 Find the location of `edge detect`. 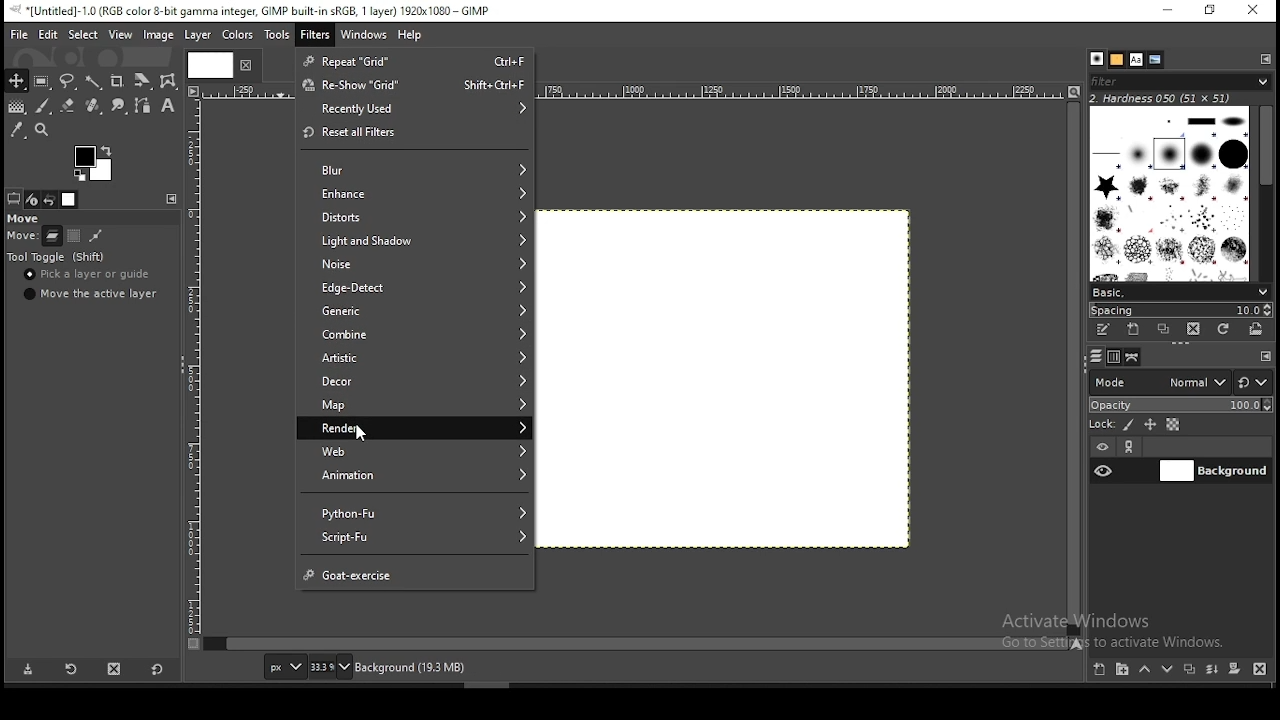

edge detect is located at coordinates (414, 289).